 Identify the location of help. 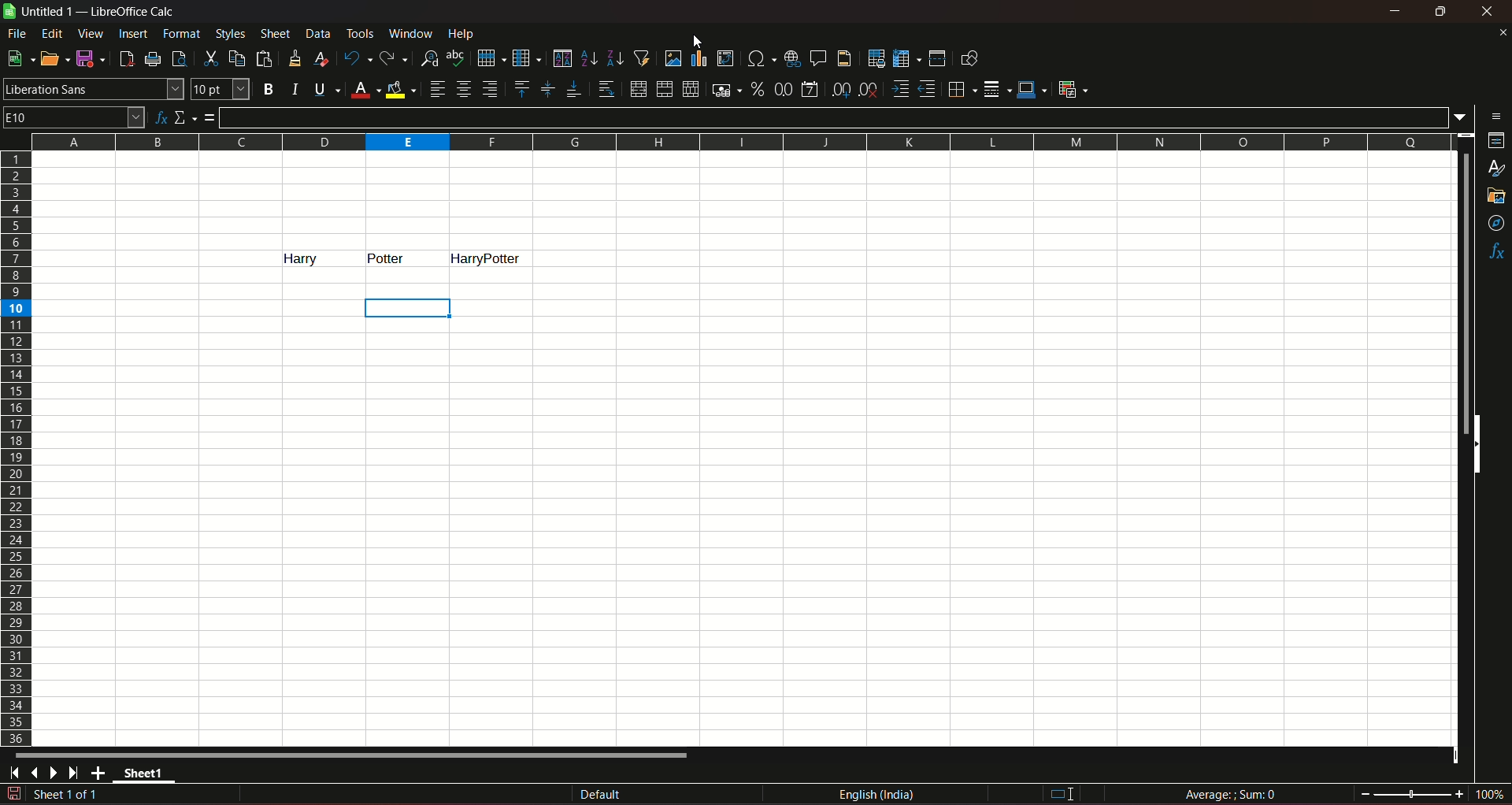
(465, 33).